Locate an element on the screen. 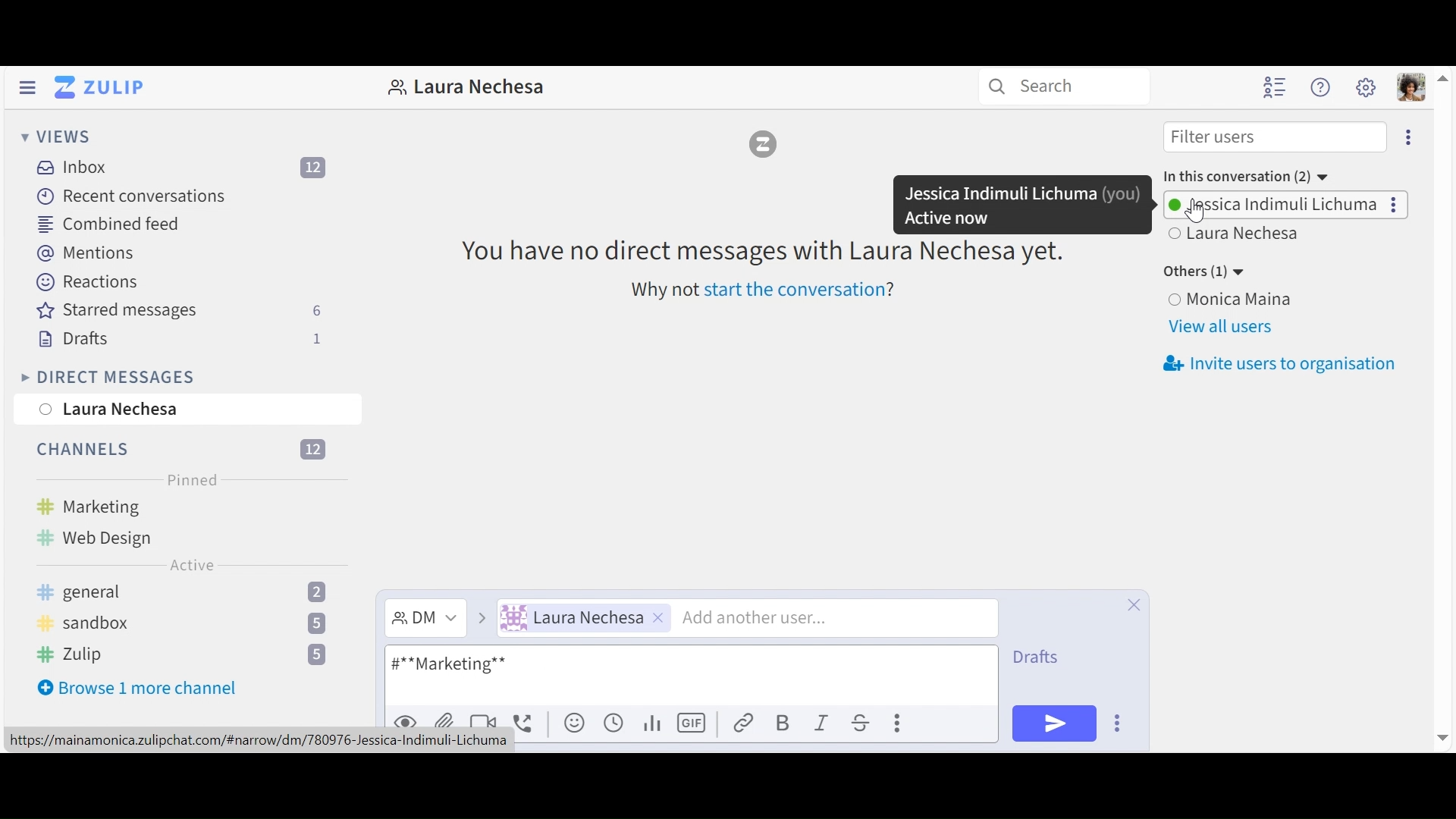 The height and width of the screenshot is (819, 1456). url is located at coordinates (259, 742).